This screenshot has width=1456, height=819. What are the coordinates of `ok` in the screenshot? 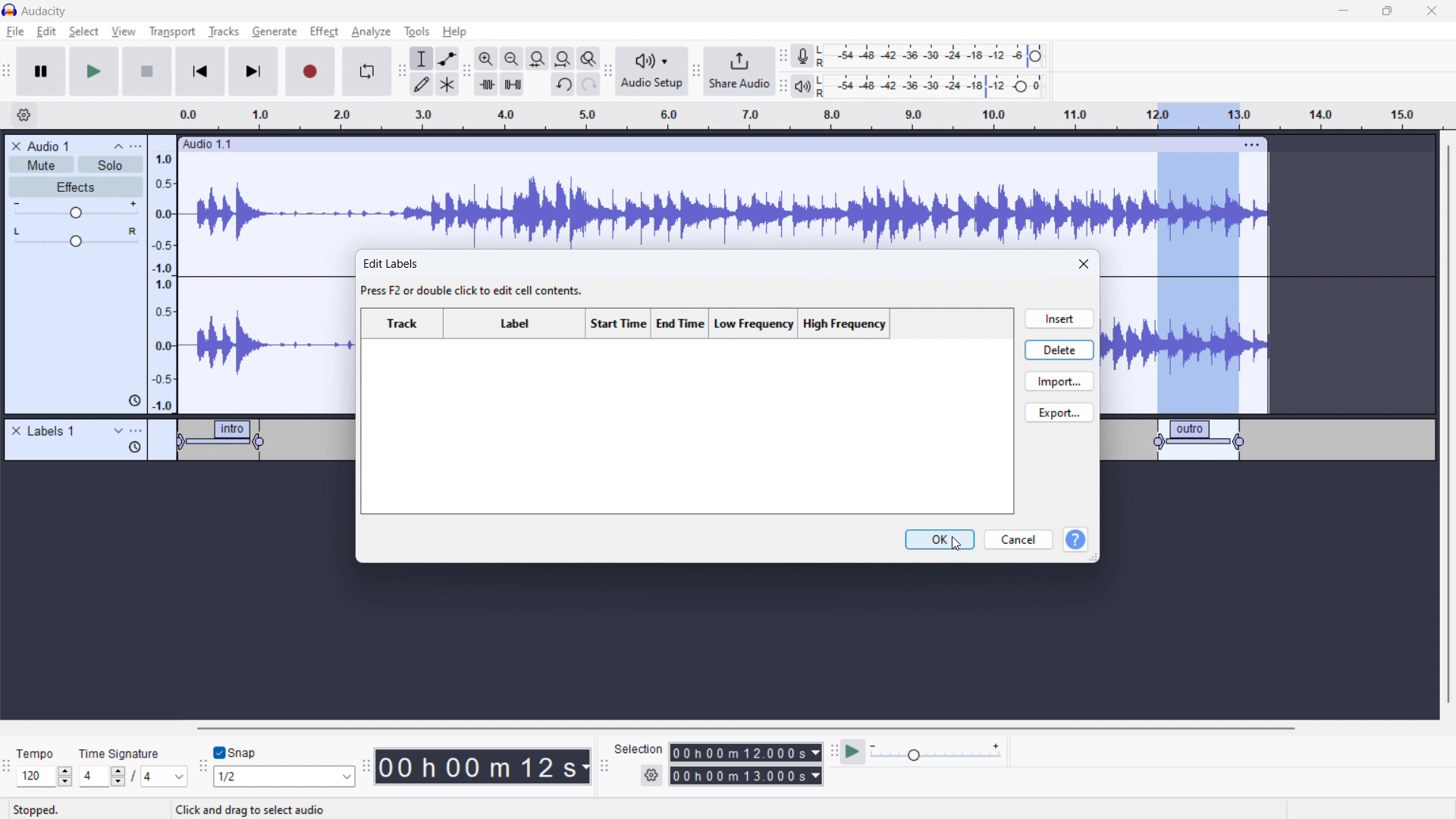 It's located at (940, 539).